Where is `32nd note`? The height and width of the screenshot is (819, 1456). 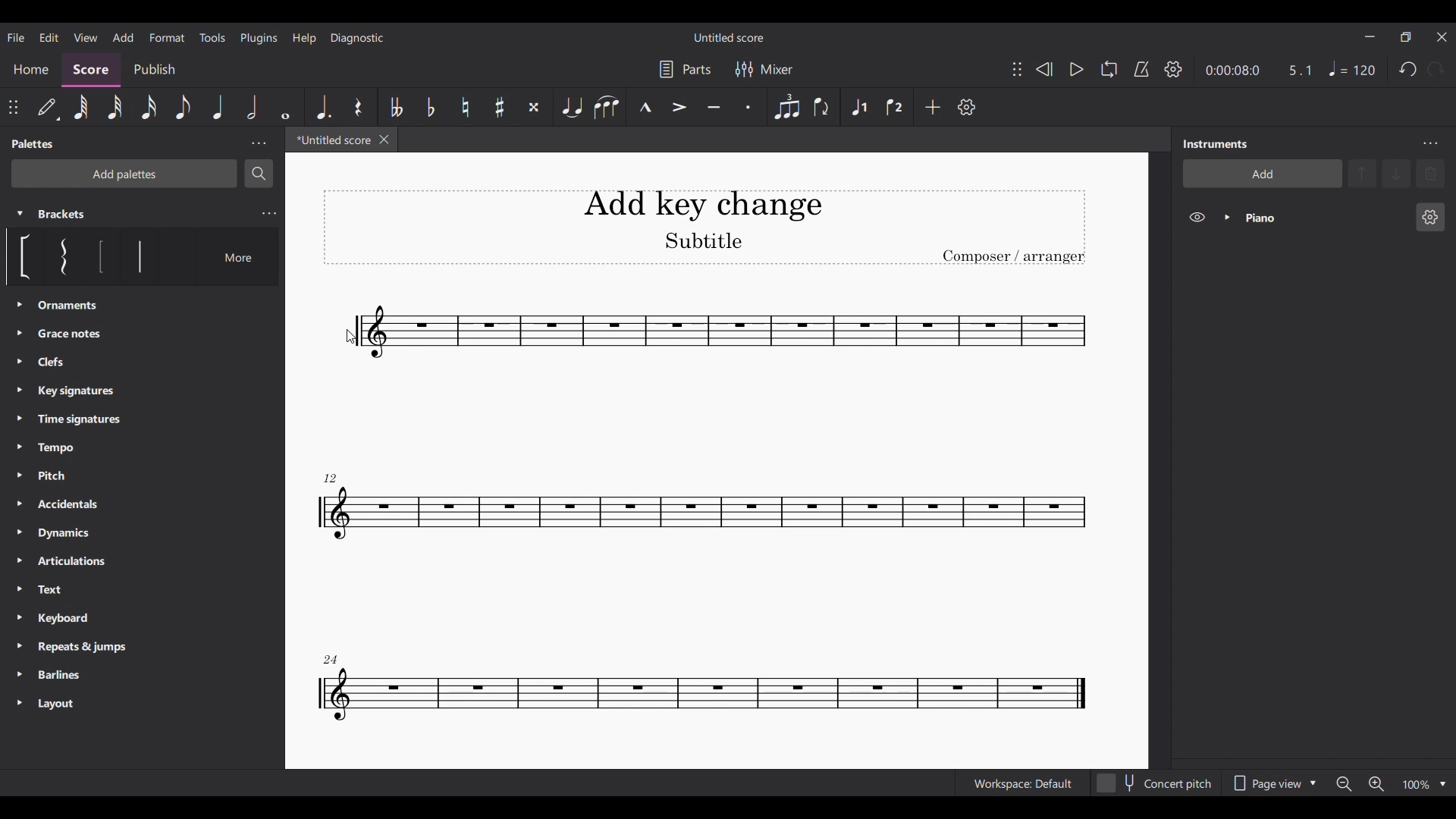 32nd note is located at coordinates (115, 108).